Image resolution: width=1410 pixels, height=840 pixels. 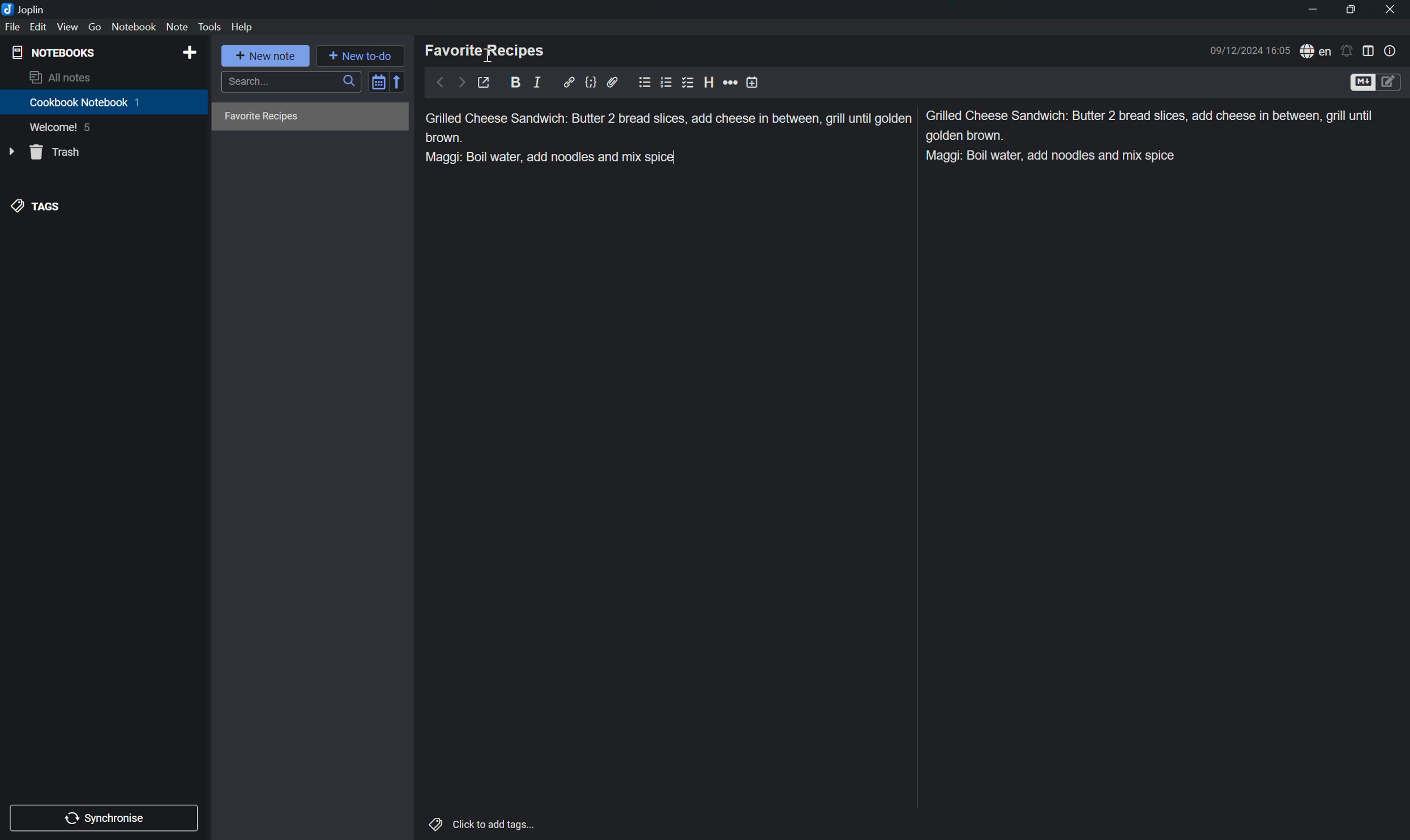 I want to click on Italic, so click(x=540, y=82).